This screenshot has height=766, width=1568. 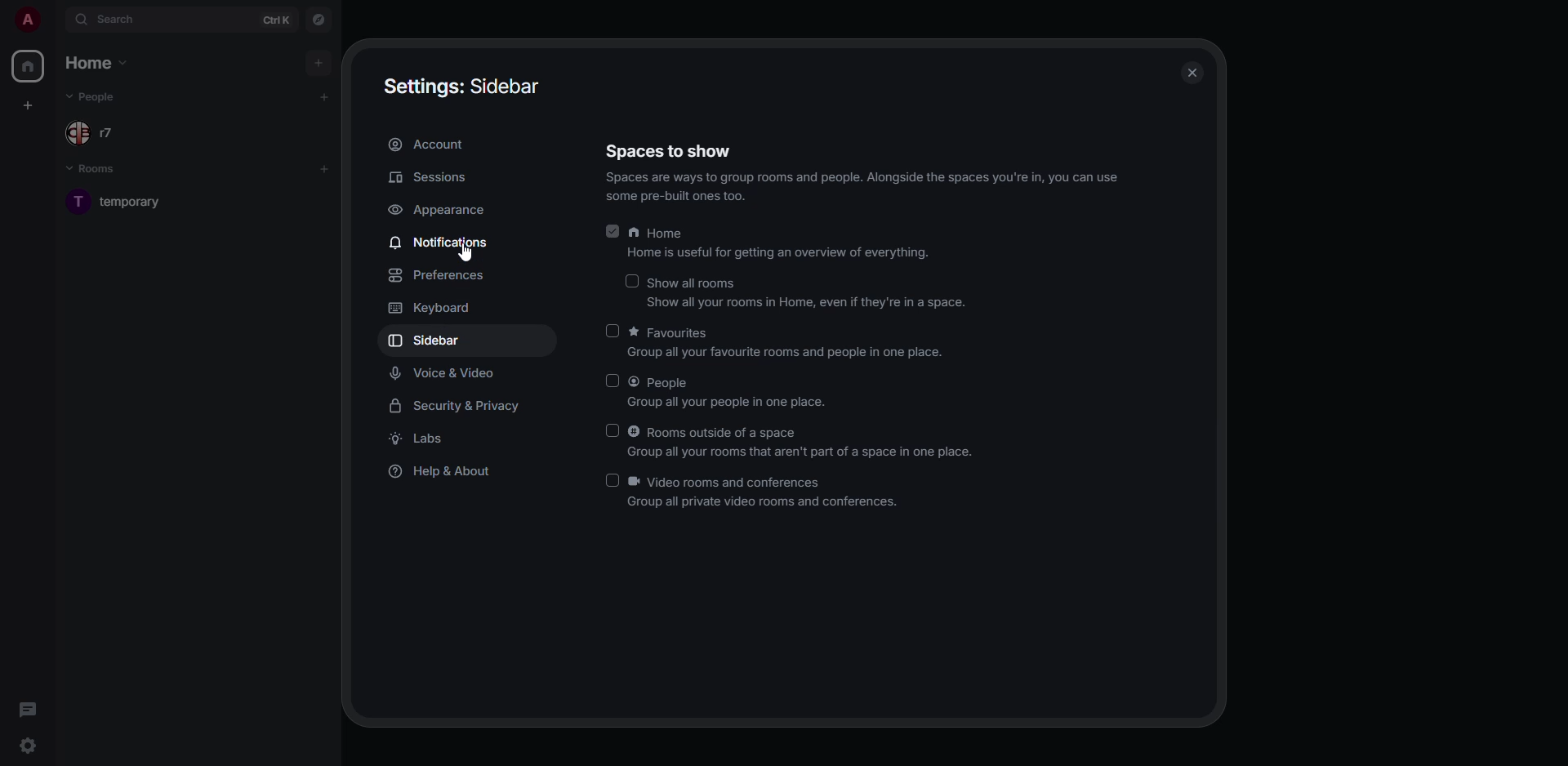 What do you see at coordinates (423, 440) in the screenshot?
I see `labs` at bounding box center [423, 440].